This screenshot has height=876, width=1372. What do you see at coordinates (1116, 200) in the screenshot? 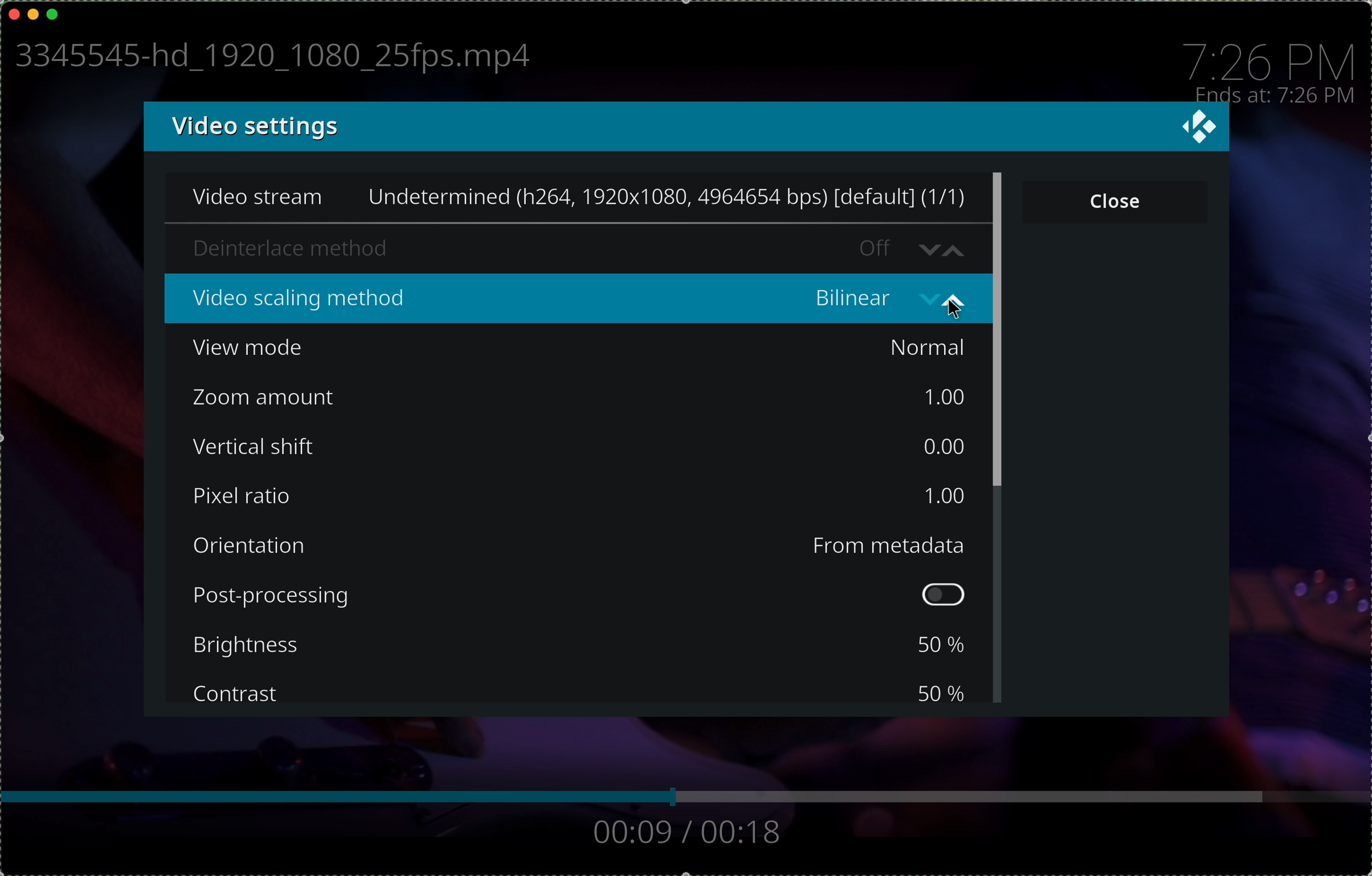
I see `close button` at bounding box center [1116, 200].